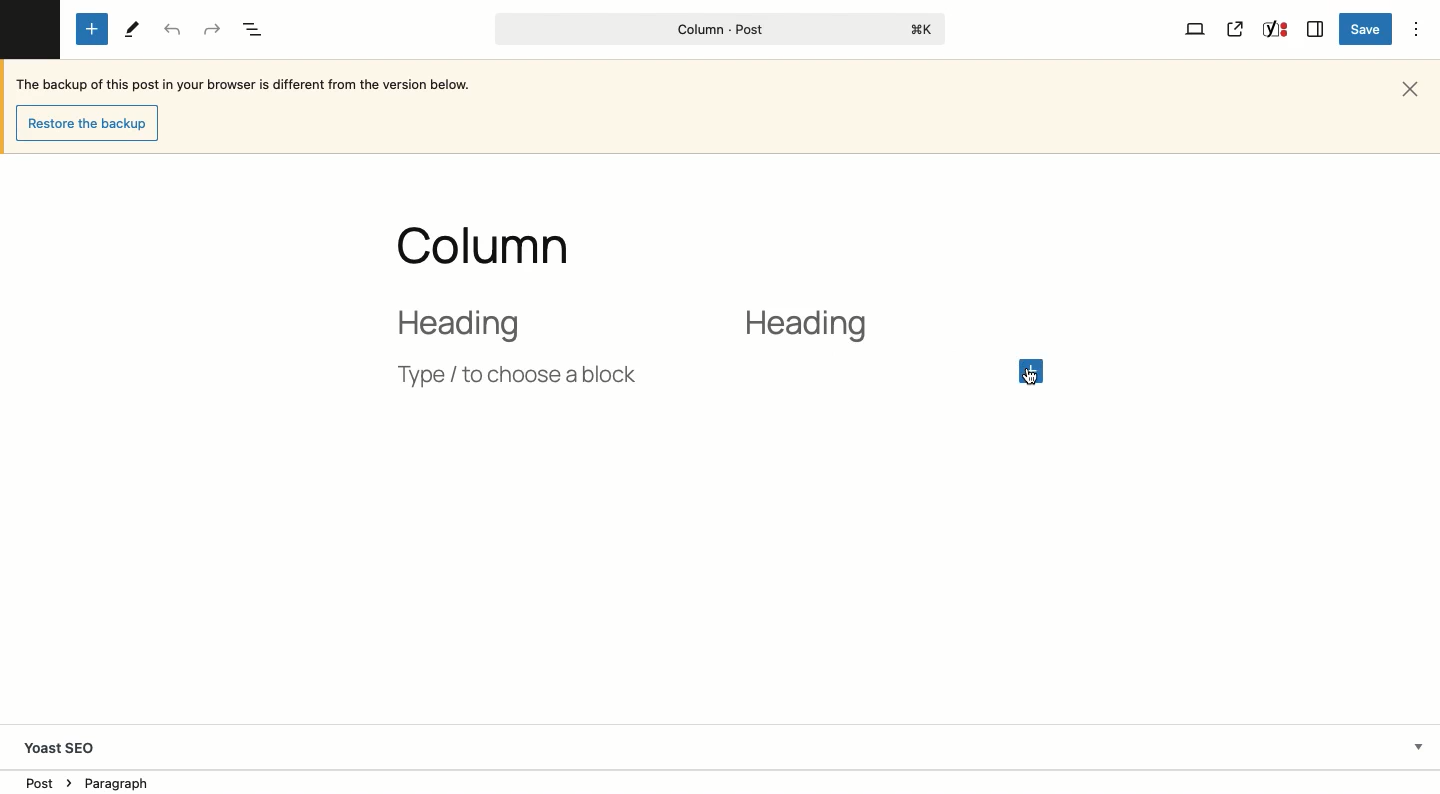 The width and height of the screenshot is (1440, 794). Describe the element at coordinates (174, 30) in the screenshot. I see `Undo` at that location.